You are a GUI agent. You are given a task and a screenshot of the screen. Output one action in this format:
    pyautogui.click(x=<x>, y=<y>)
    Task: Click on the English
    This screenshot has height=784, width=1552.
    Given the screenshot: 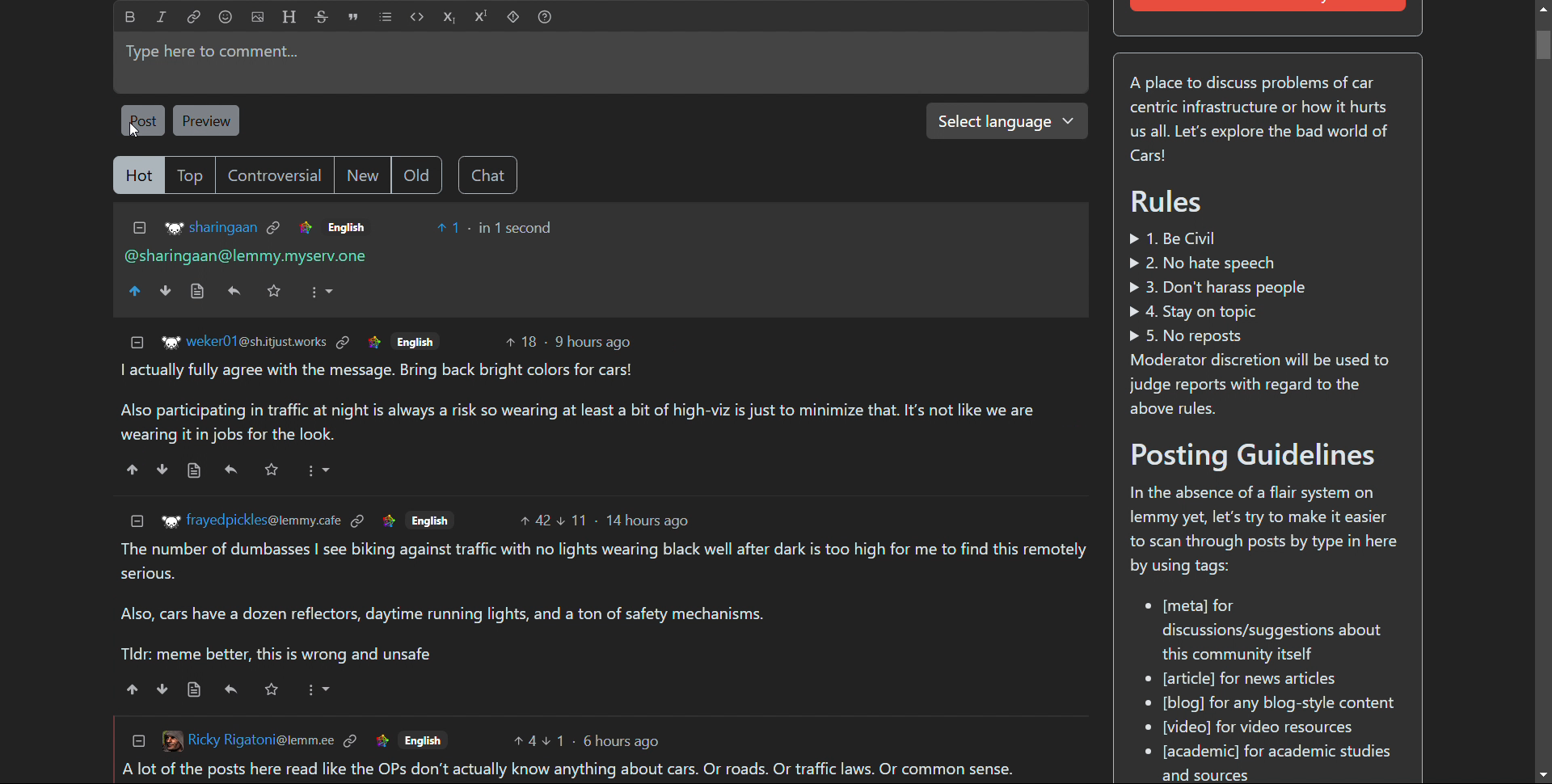 What is the action you would take?
    pyautogui.click(x=431, y=521)
    